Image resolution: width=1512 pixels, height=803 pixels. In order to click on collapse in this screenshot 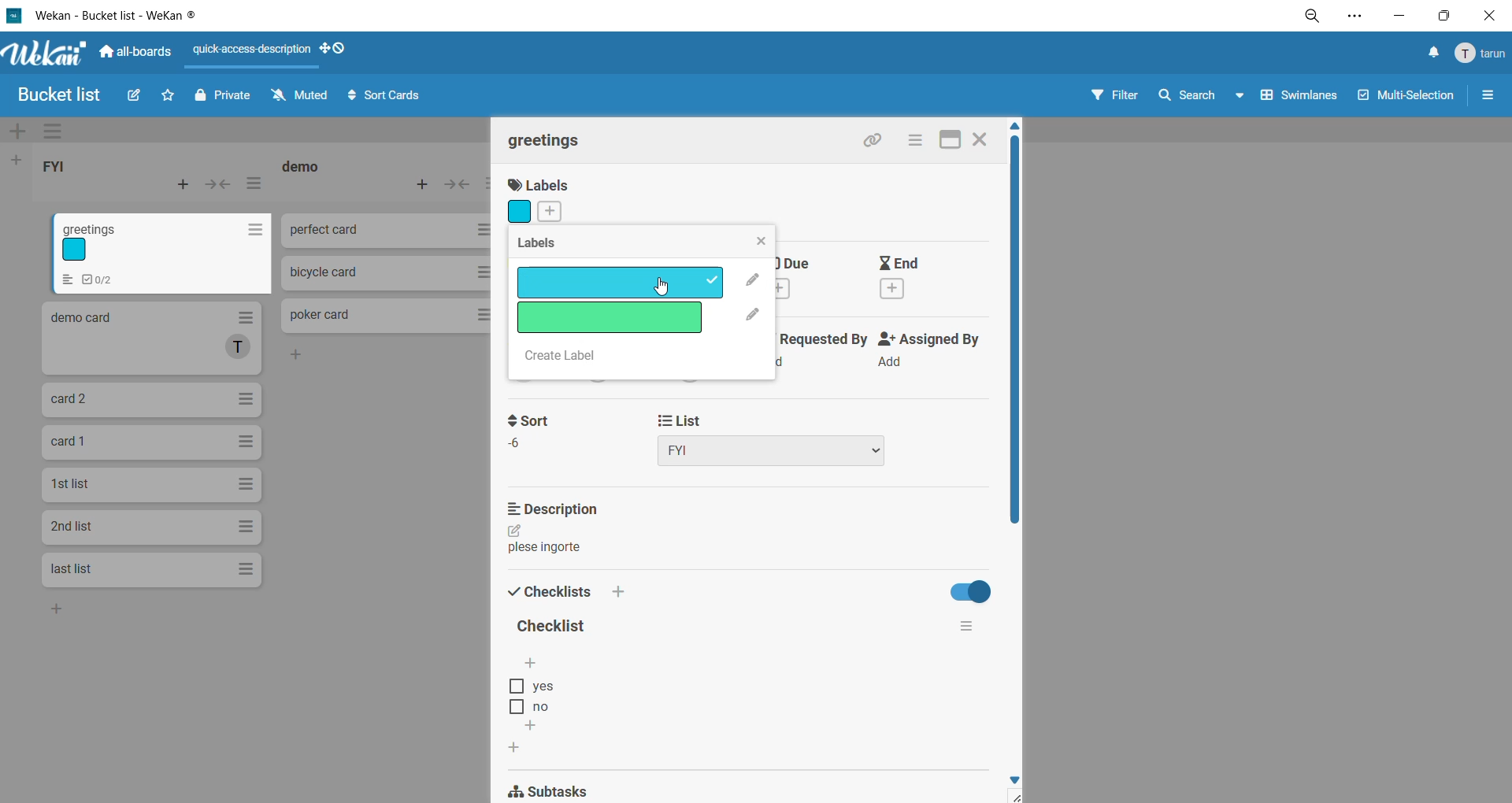, I will do `click(220, 184)`.